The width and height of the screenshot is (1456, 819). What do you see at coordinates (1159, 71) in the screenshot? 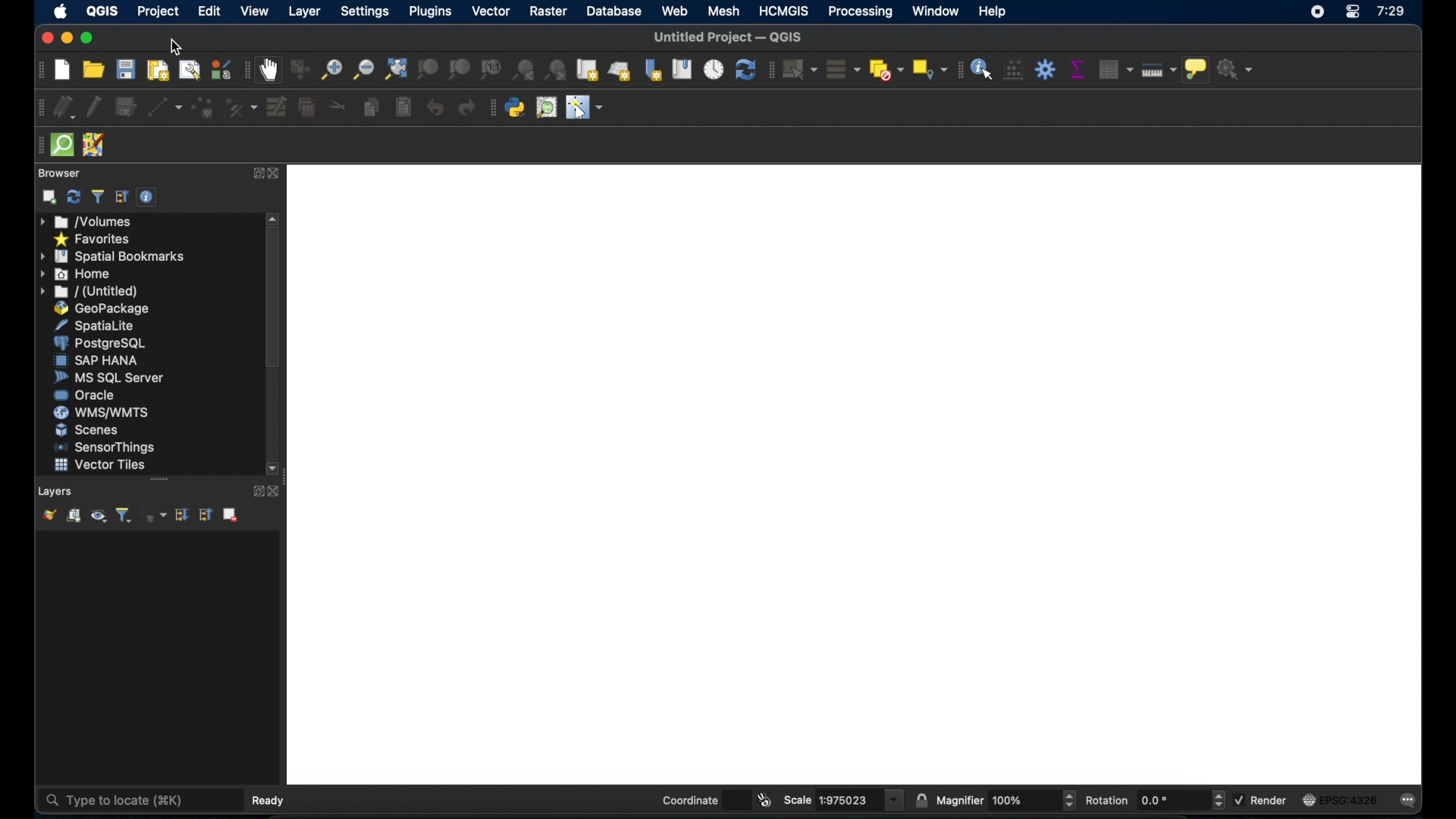
I see `measure line` at bounding box center [1159, 71].